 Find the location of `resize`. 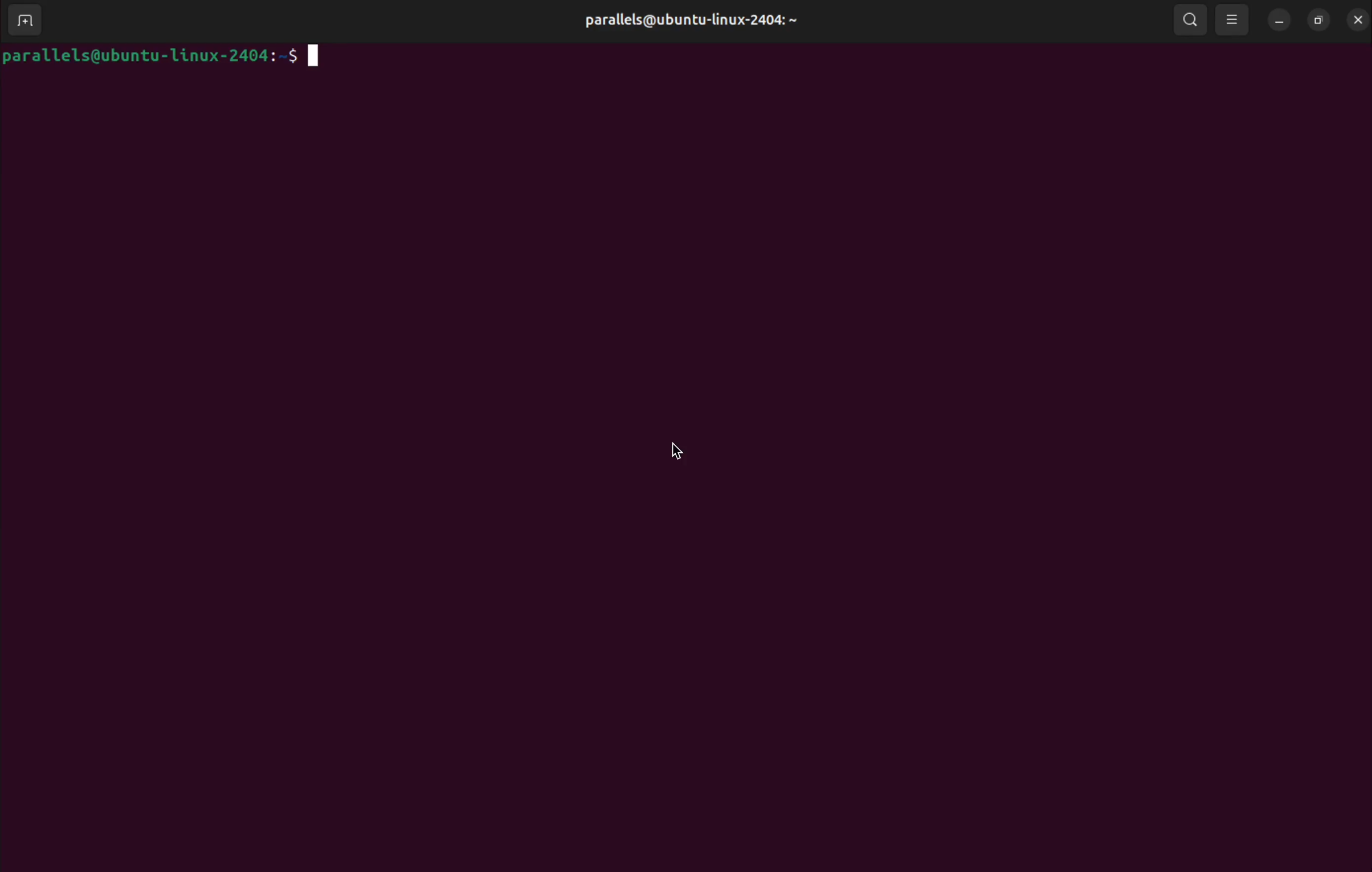

resize is located at coordinates (1317, 18).